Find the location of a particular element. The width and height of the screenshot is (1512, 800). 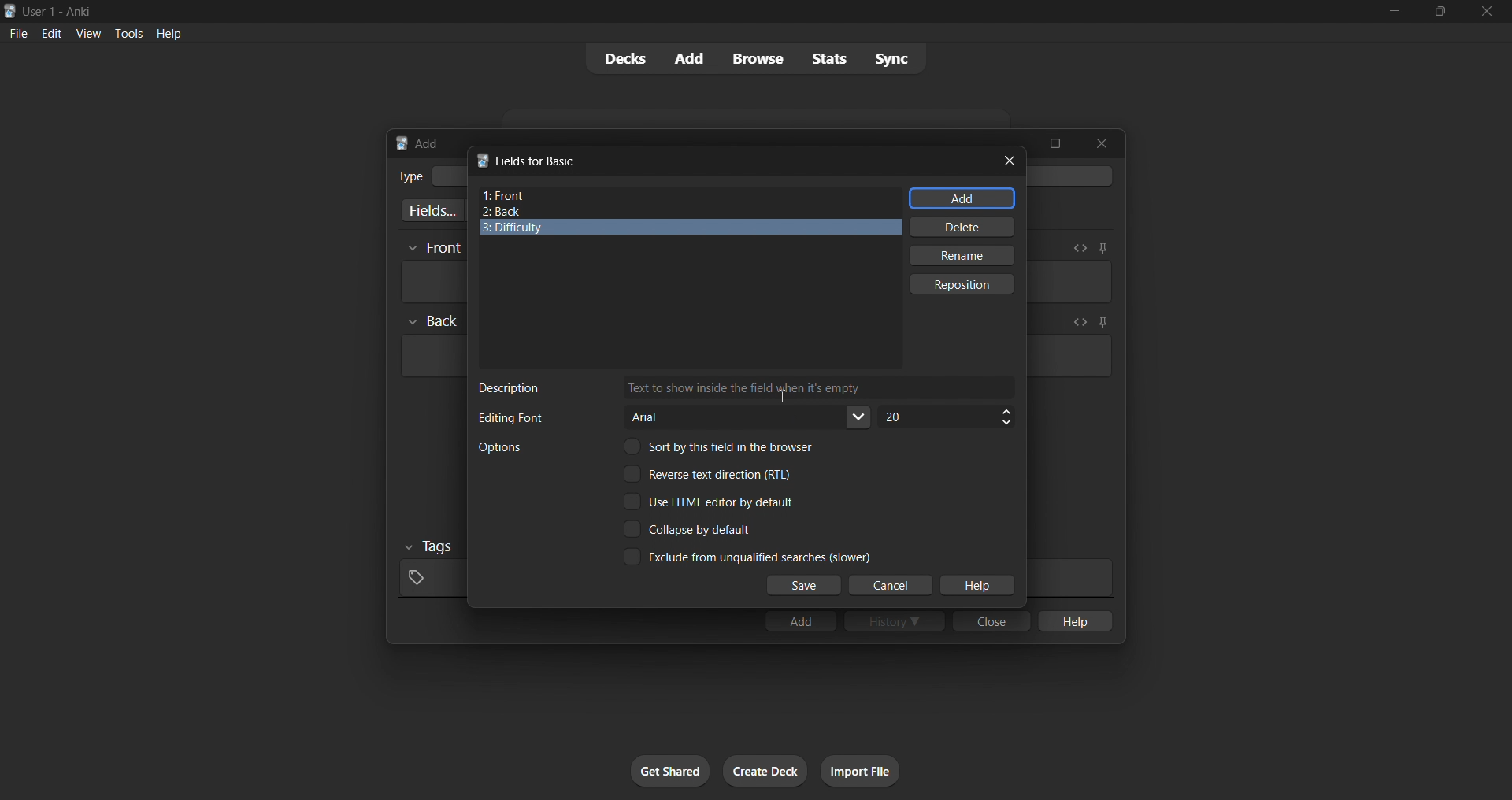

Card front input is located at coordinates (1069, 282).